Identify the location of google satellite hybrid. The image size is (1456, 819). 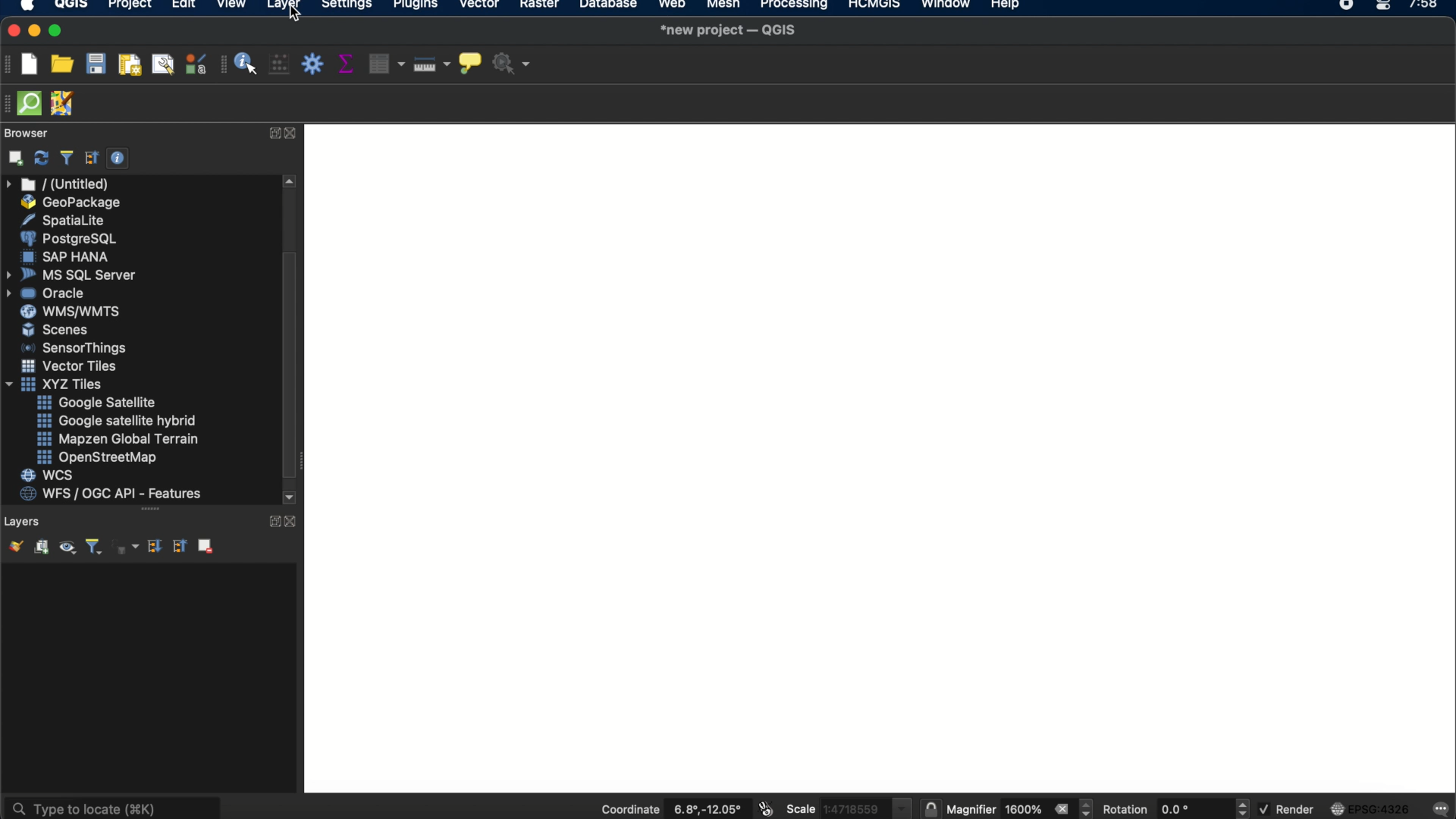
(118, 421).